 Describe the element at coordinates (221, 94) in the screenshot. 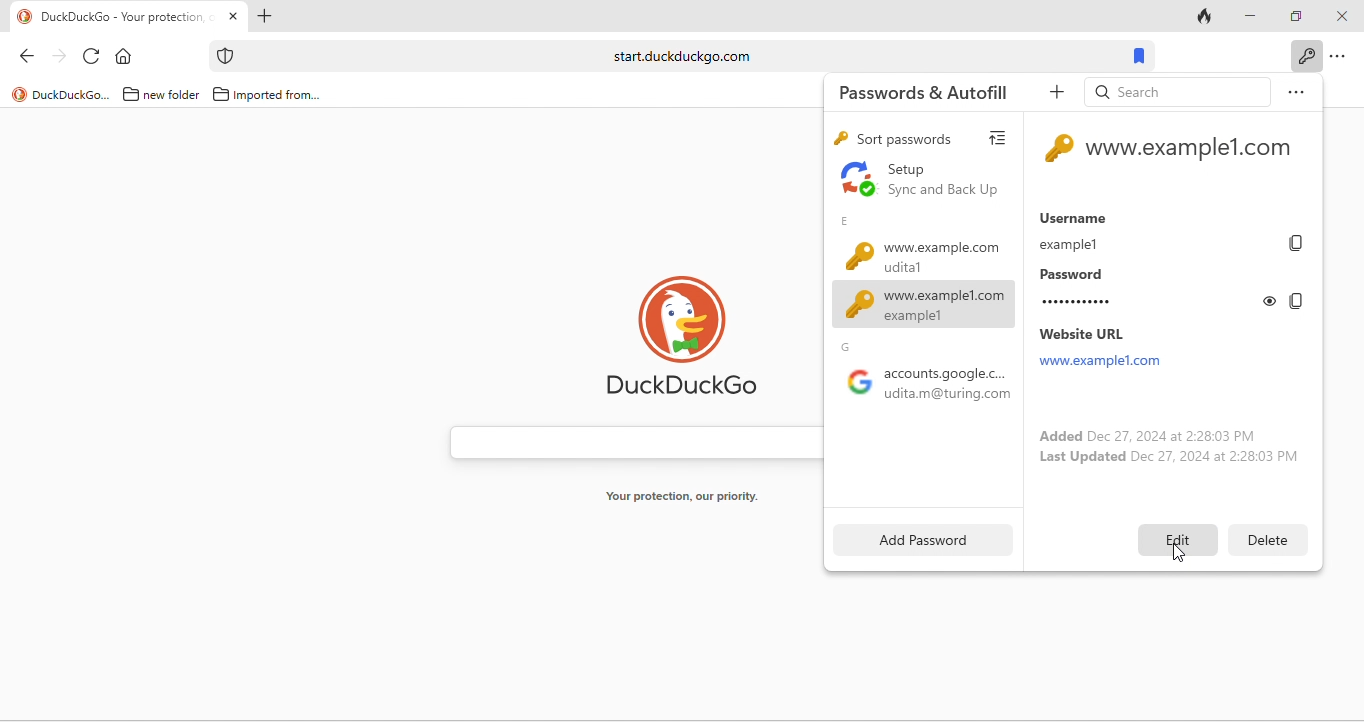

I see `folder icon` at that location.